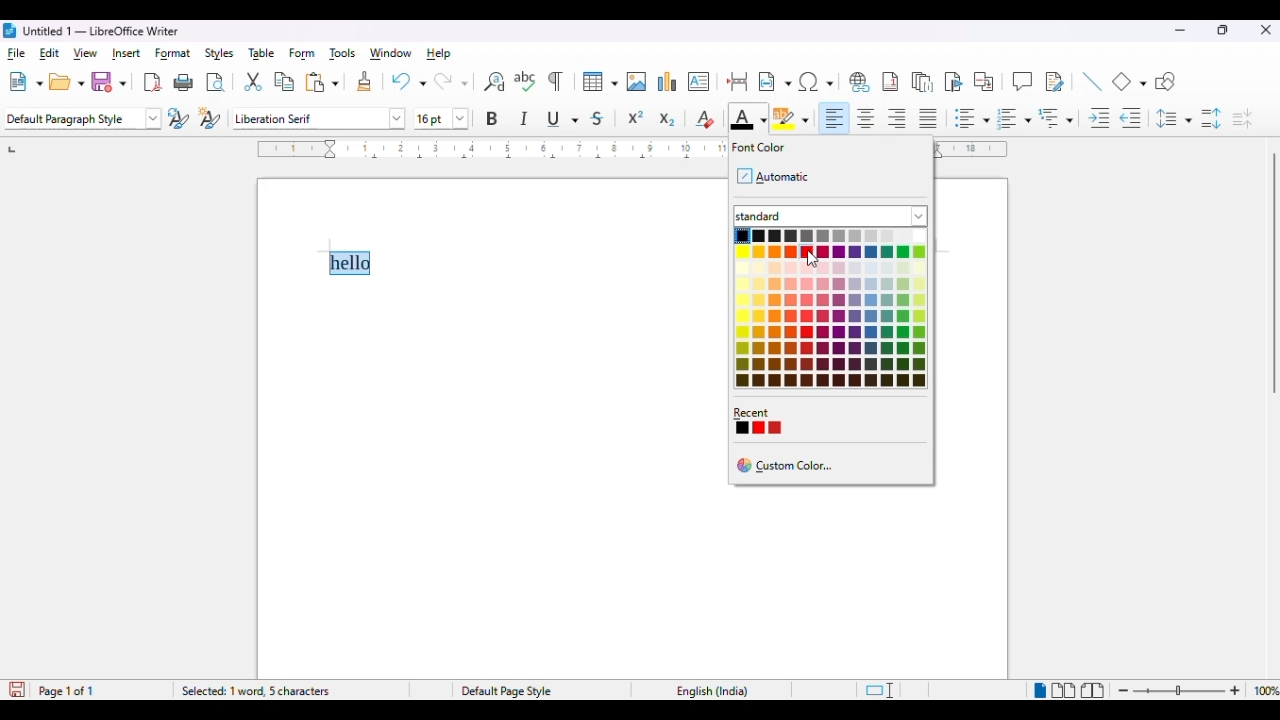  I want to click on custom color, so click(789, 466).